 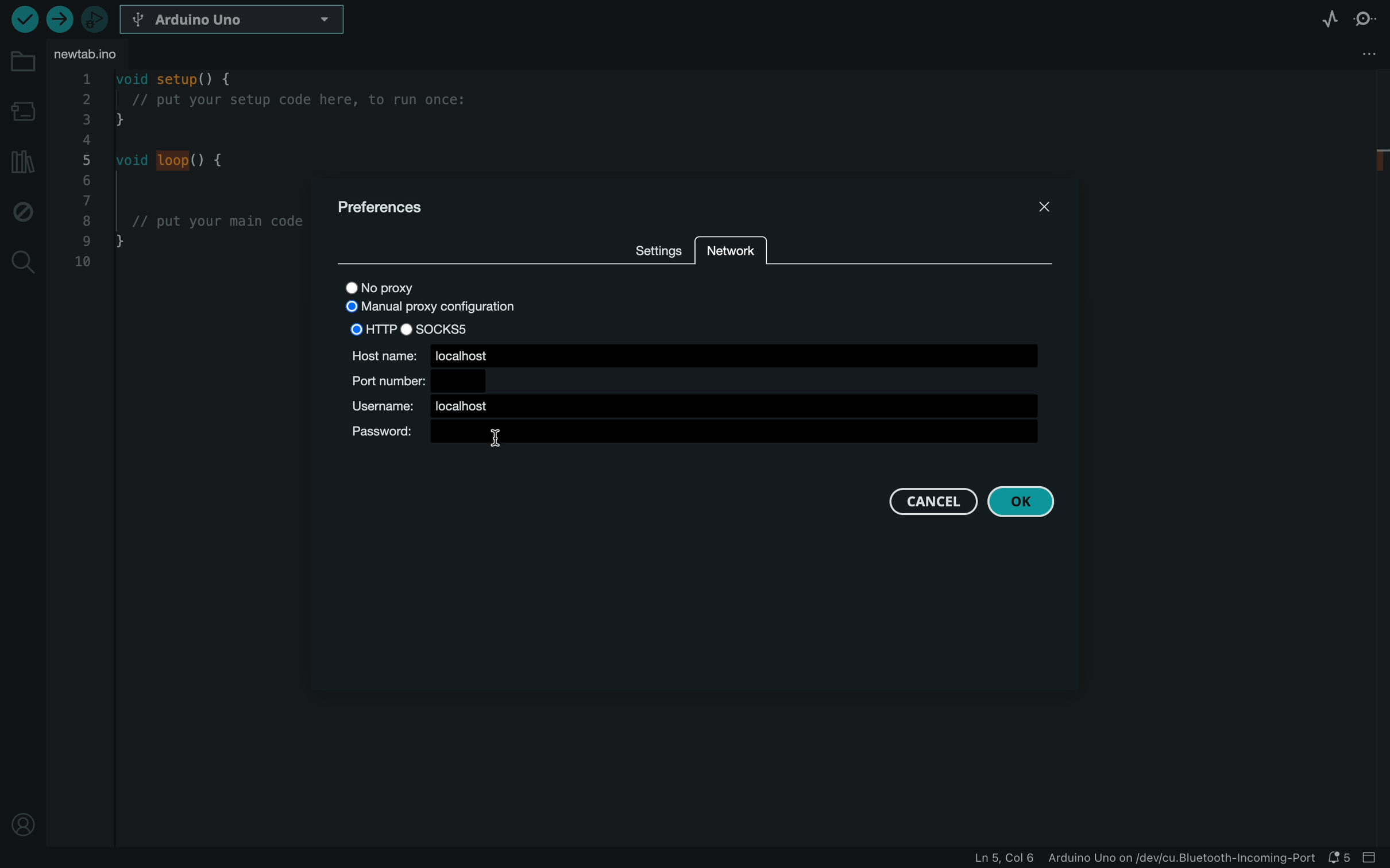 I want to click on notification, so click(x=1341, y=857).